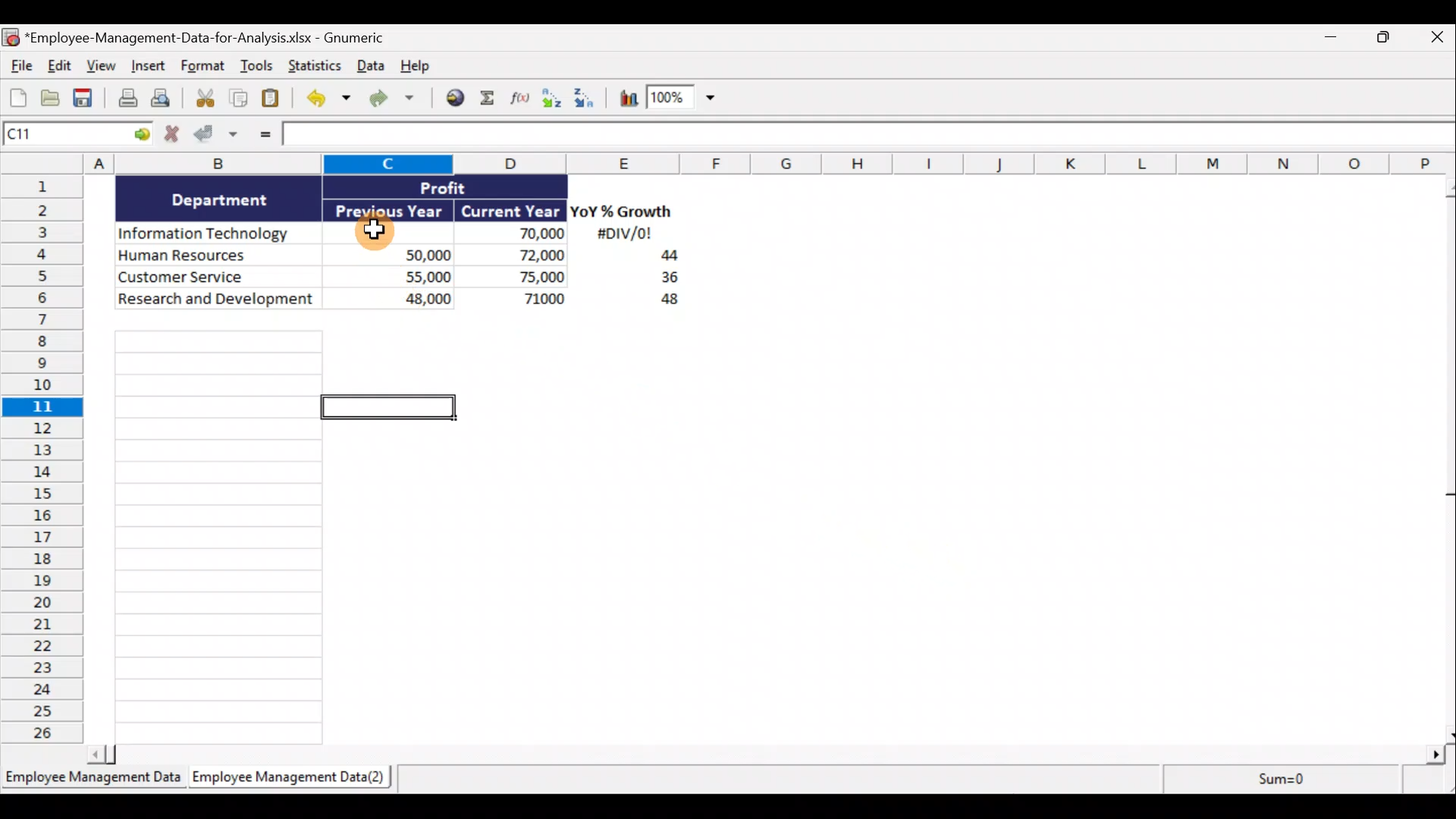  What do you see at coordinates (215, 256) in the screenshot?
I see `Human Resources` at bounding box center [215, 256].